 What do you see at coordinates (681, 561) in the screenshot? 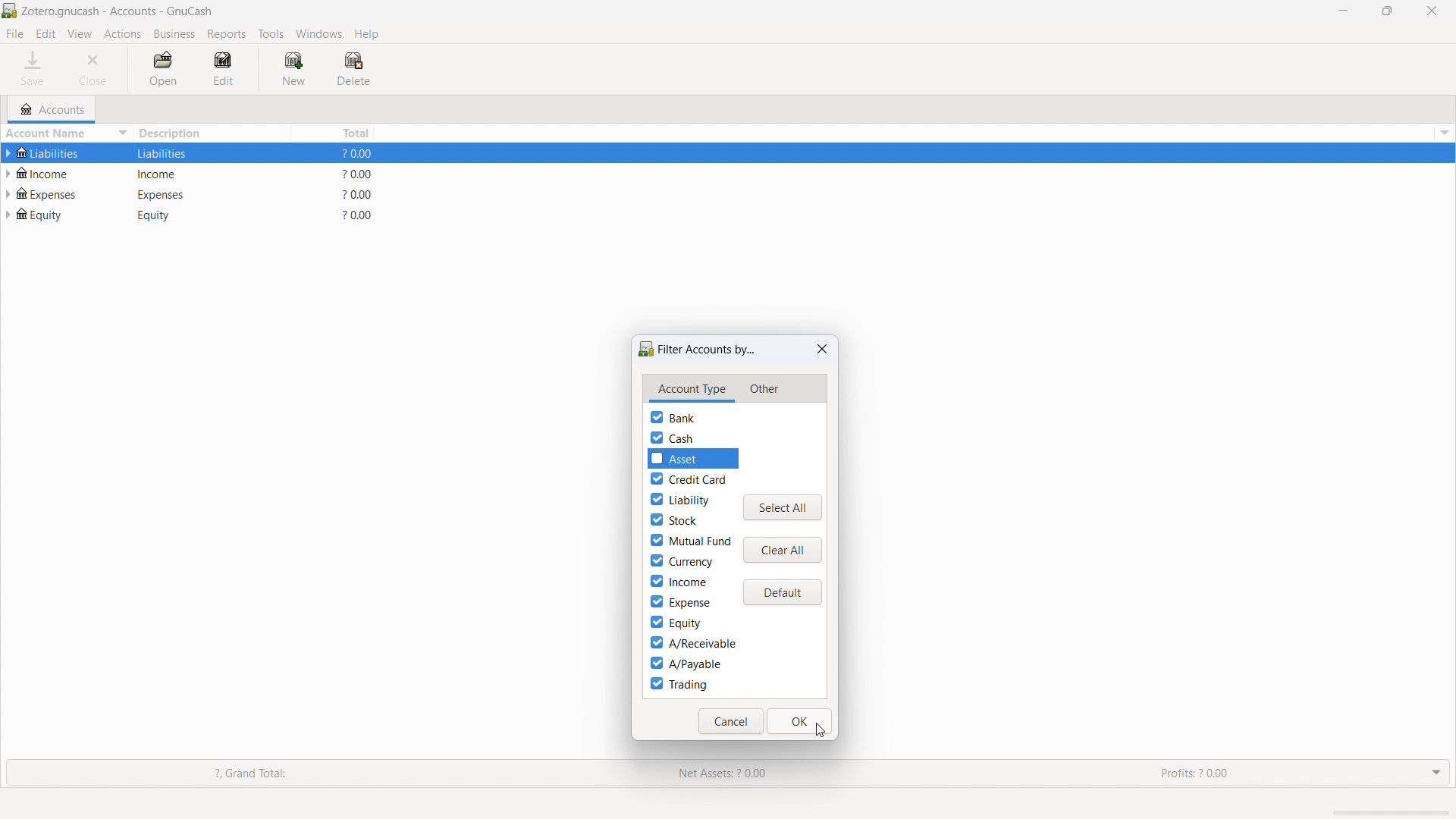
I see `currency` at bounding box center [681, 561].